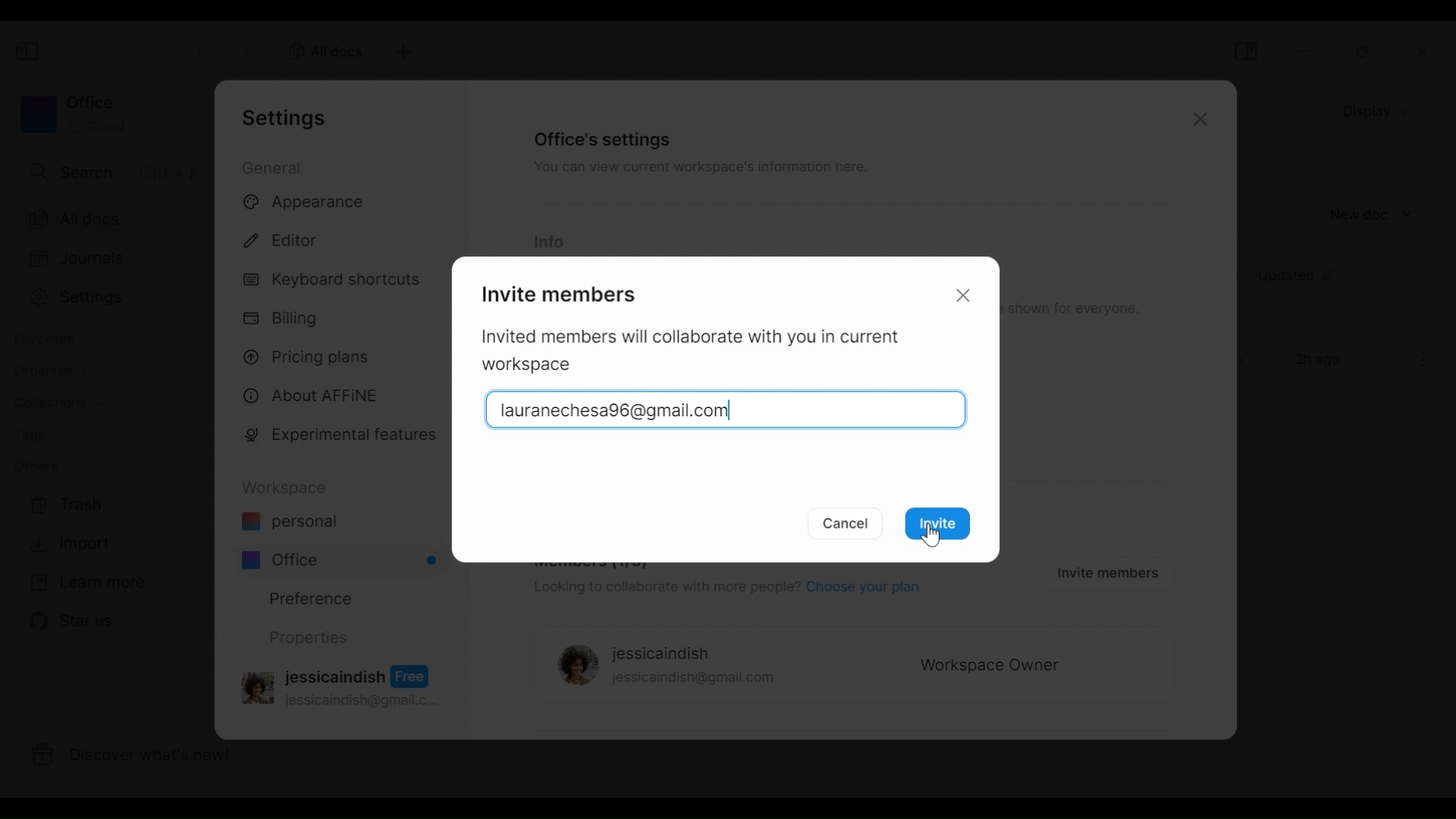 This screenshot has height=819, width=1456. I want to click on Star us, so click(69, 621).